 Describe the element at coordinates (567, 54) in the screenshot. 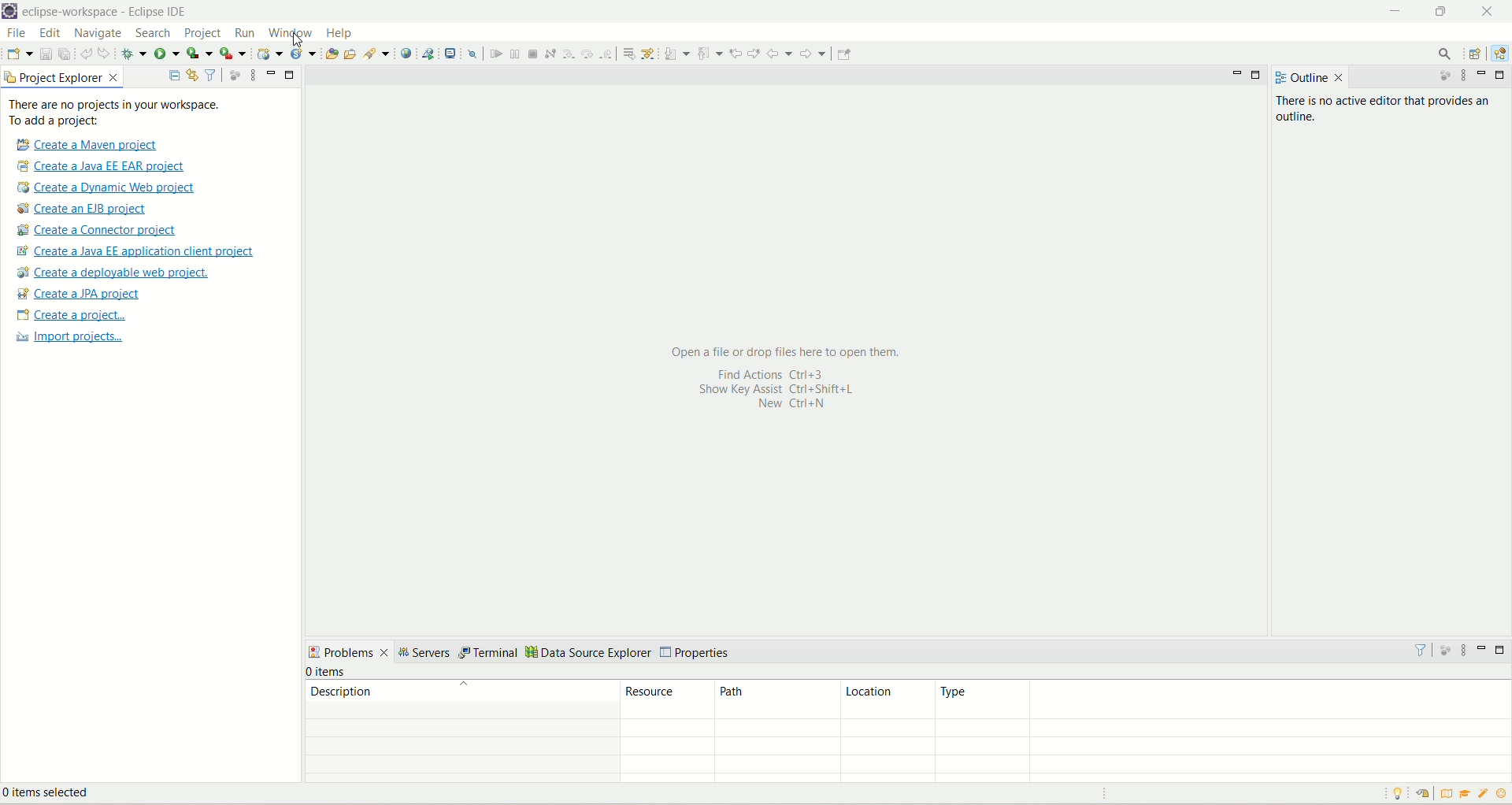

I see `step into` at that location.